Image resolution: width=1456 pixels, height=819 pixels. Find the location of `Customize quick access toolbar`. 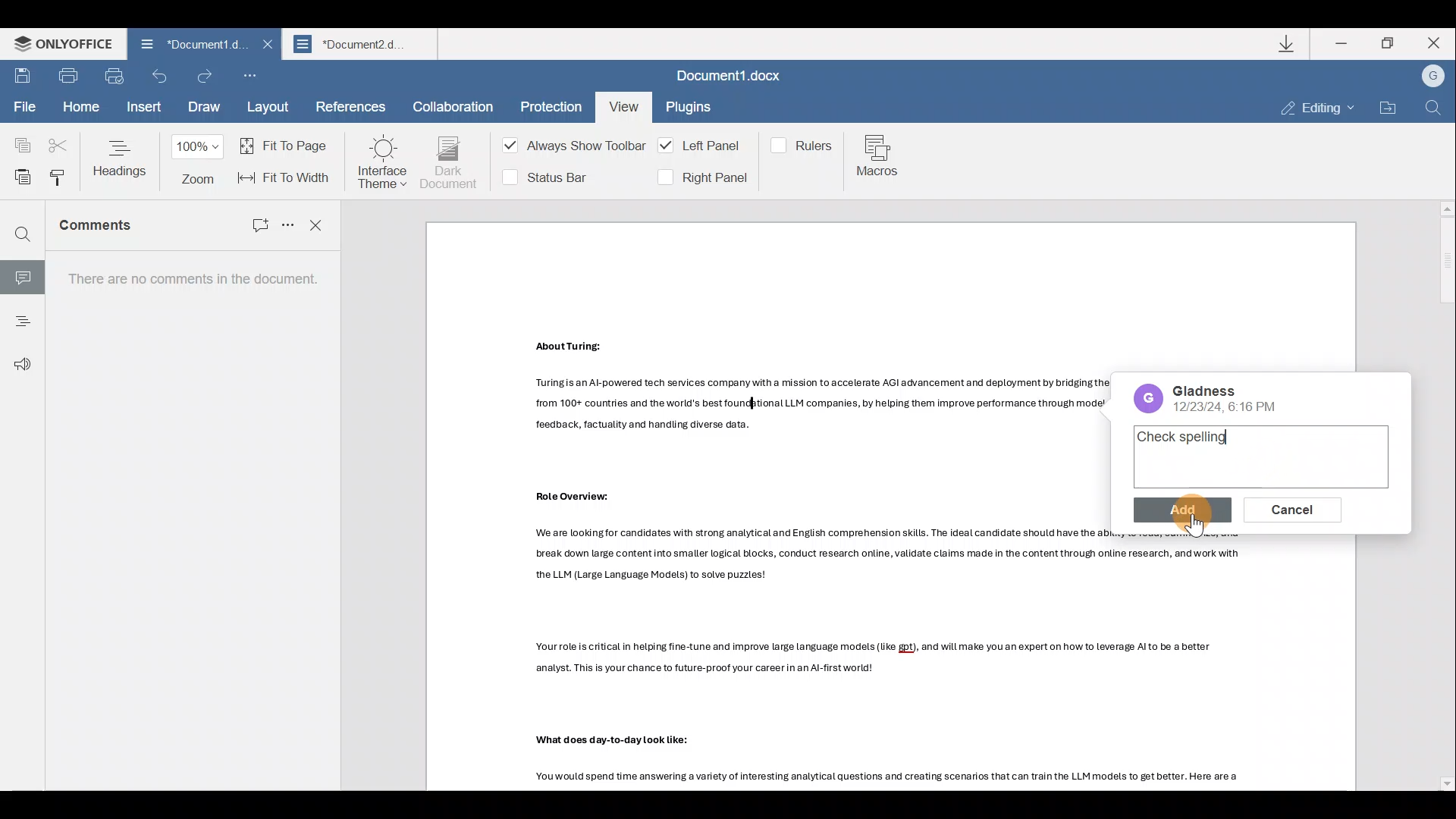

Customize quick access toolbar is located at coordinates (255, 77).